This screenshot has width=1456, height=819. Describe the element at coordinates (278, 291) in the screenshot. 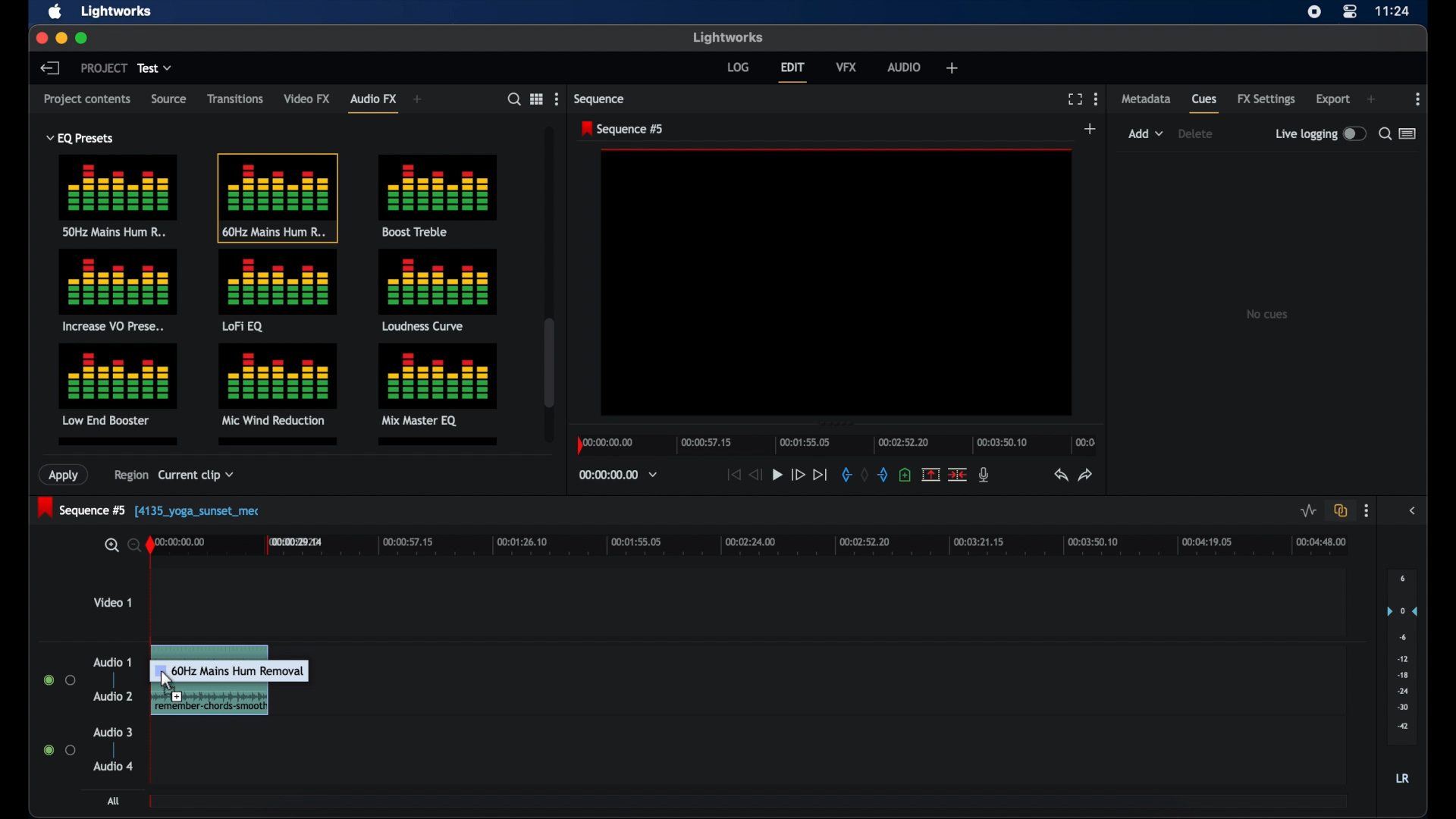

I see `lofi eq` at that location.